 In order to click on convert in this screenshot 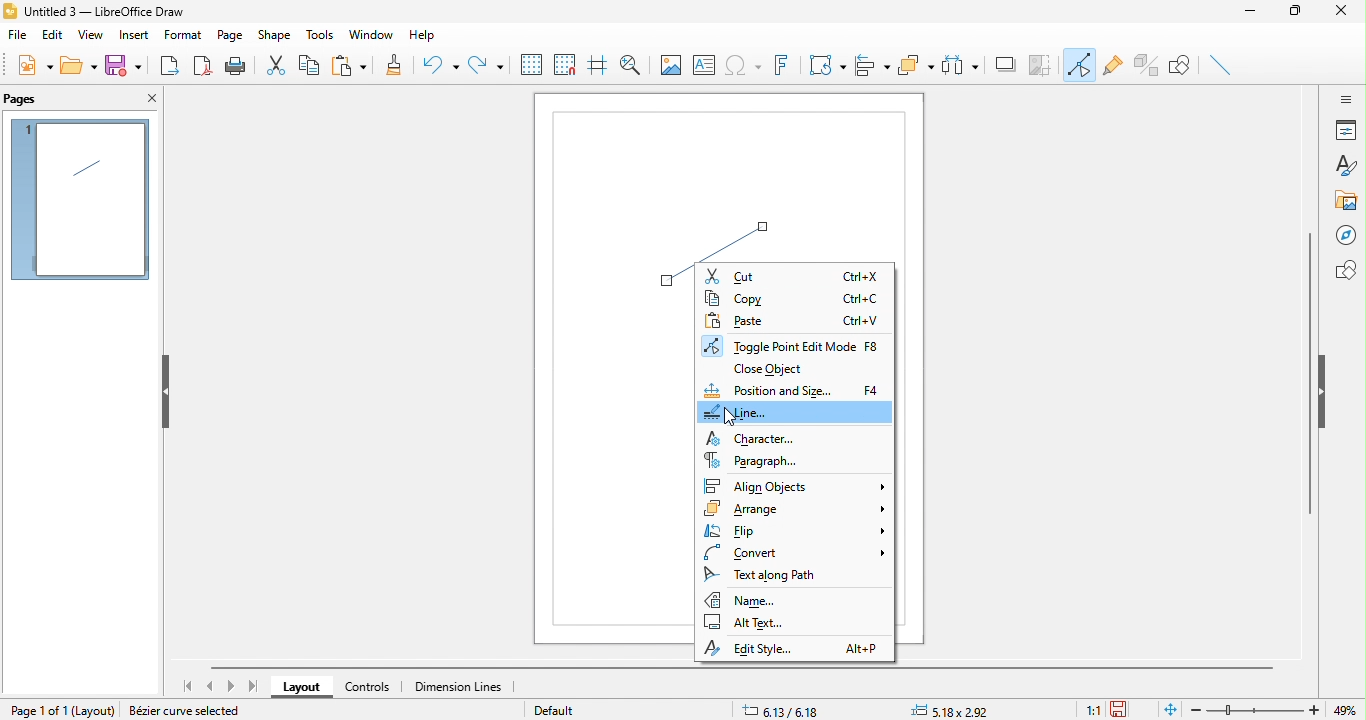, I will do `click(790, 552)`.